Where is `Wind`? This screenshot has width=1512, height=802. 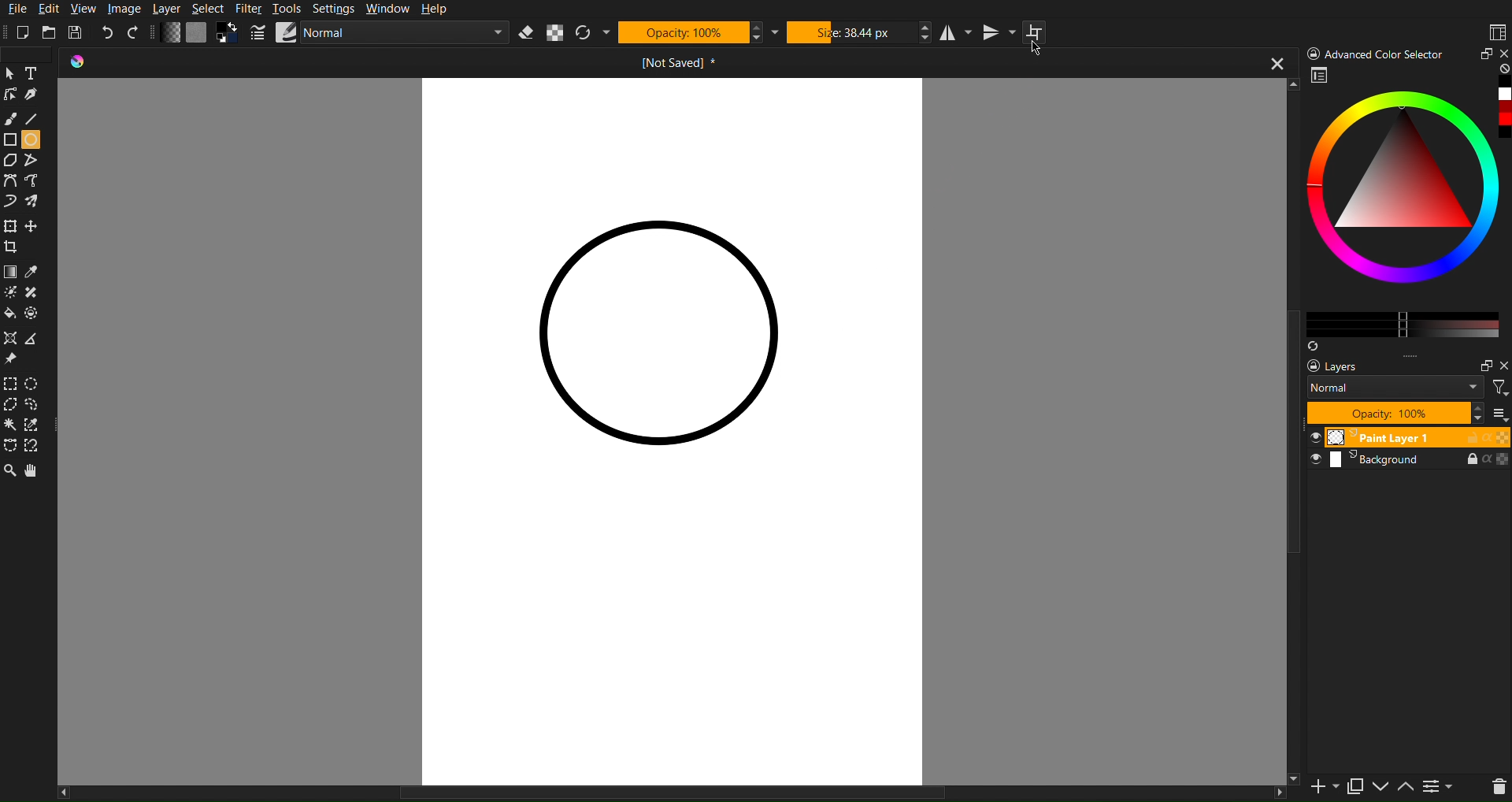
Wind is located at coordinates (10, 425).